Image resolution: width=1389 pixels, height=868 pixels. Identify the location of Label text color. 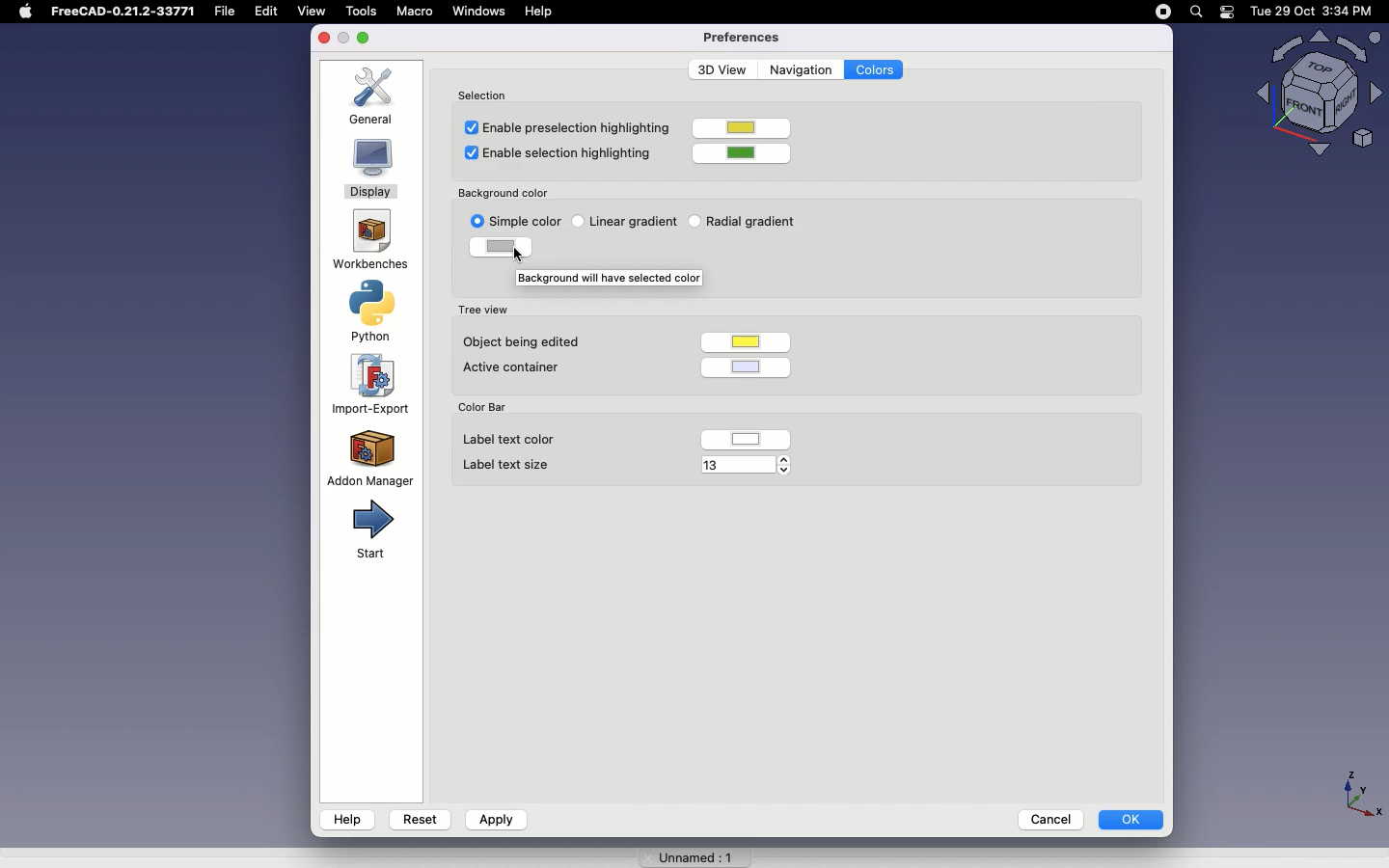
(510, 441).